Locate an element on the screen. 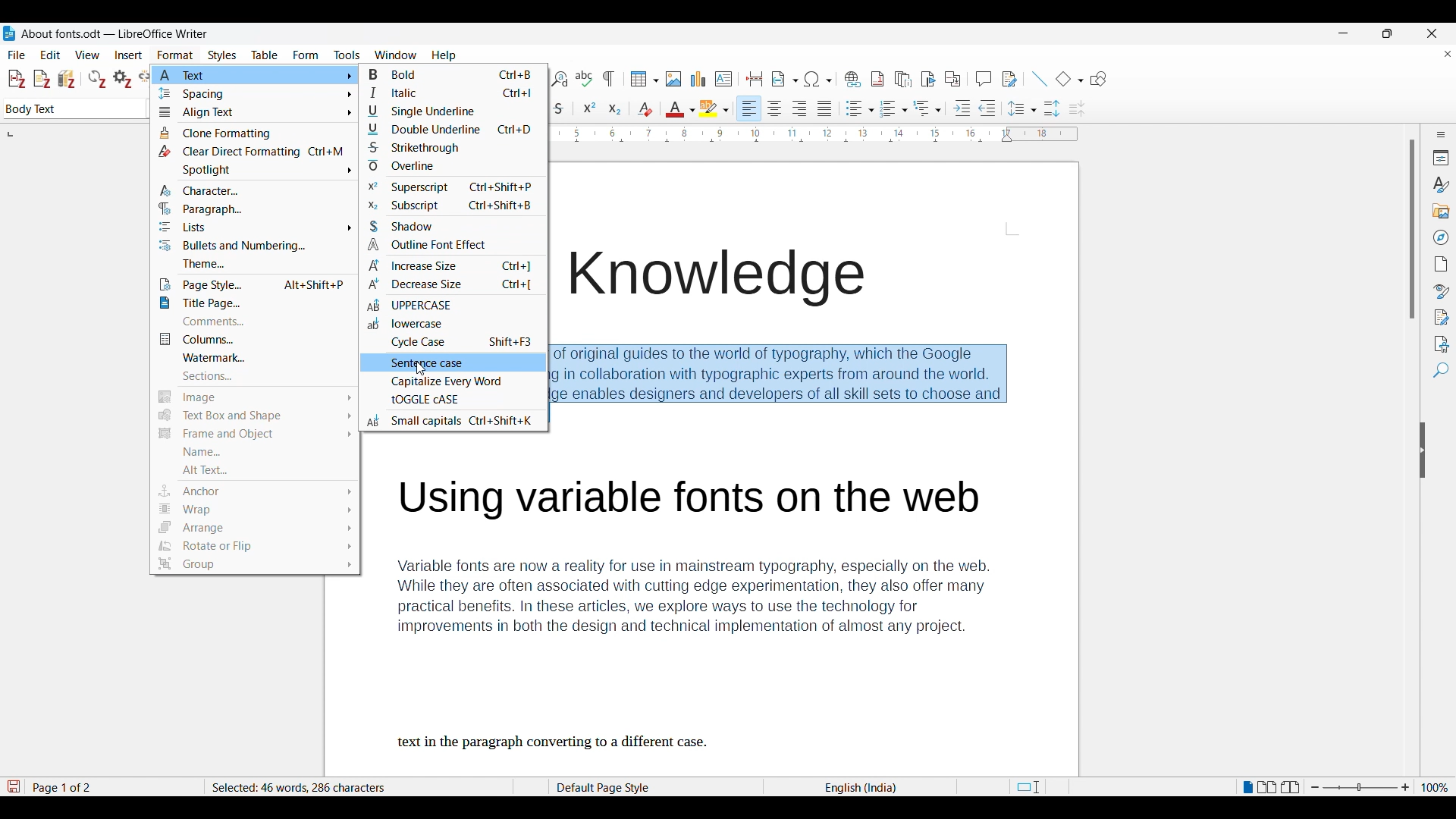 The height and width of the screenshot is (819, 1456). Window menu is located at coordinates (396, 55).